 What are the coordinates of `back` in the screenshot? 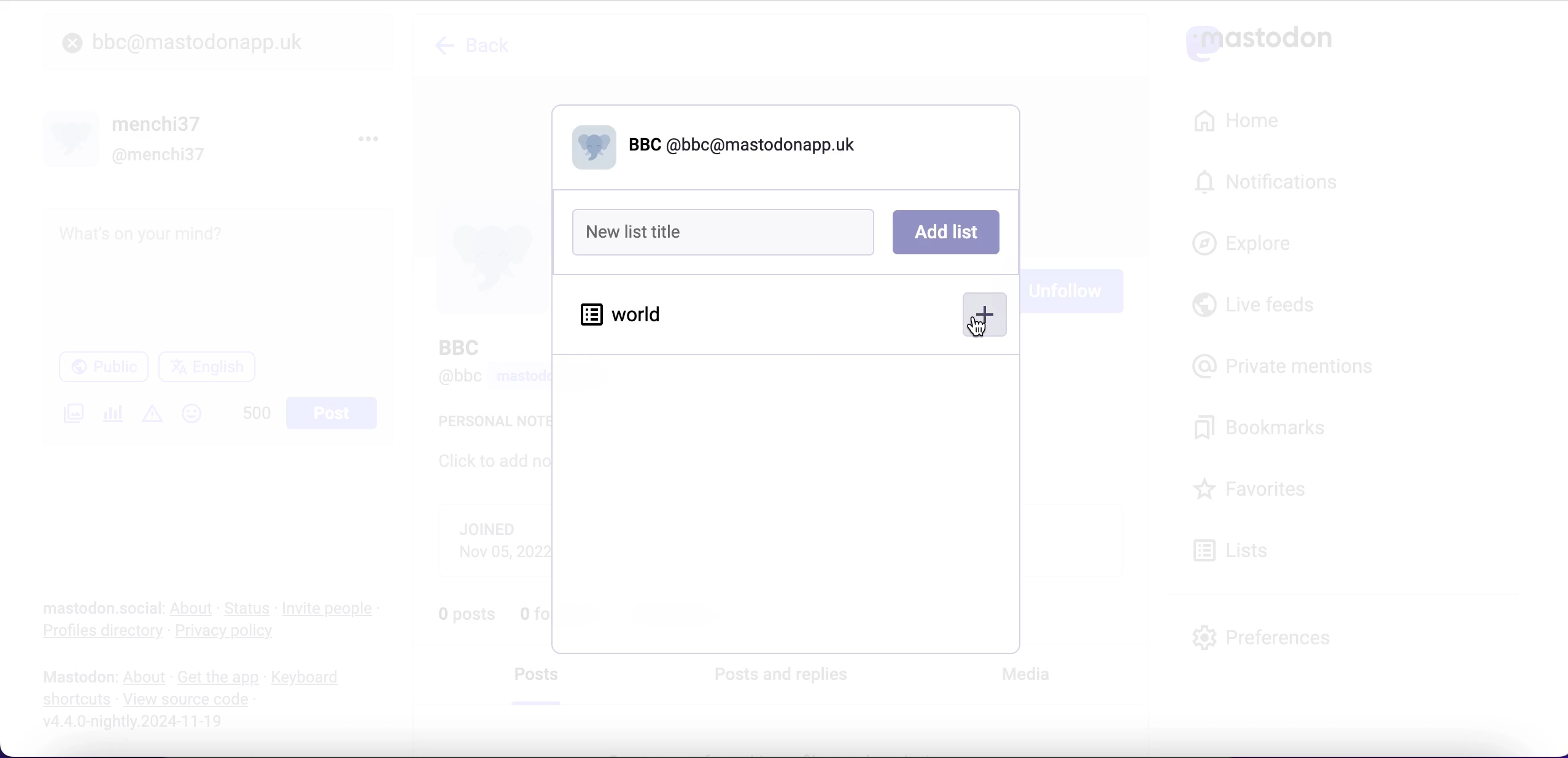 It's located at (483, 45).